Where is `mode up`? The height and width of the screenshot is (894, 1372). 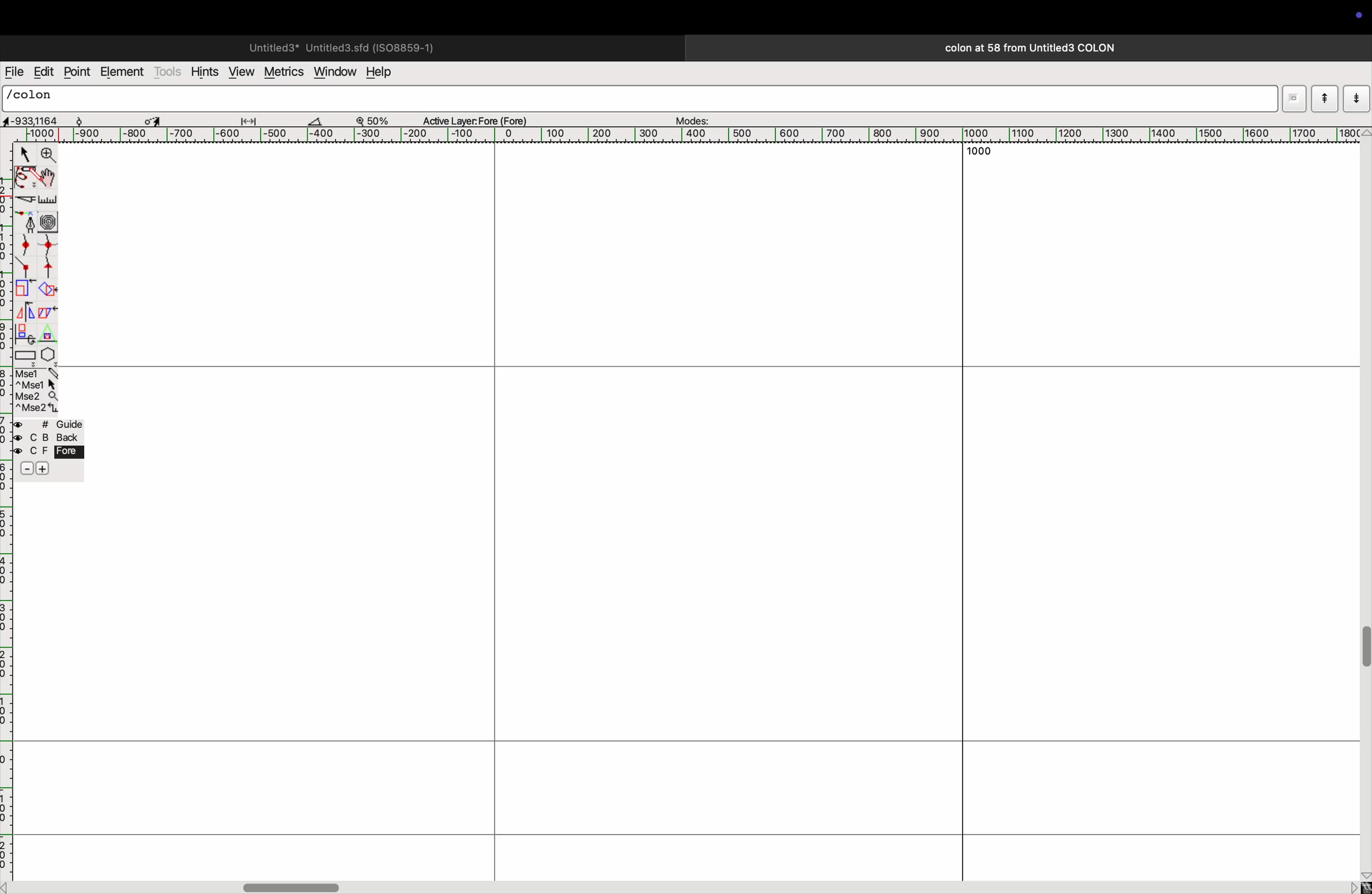
mode up is located at coordinates (1324, 99).